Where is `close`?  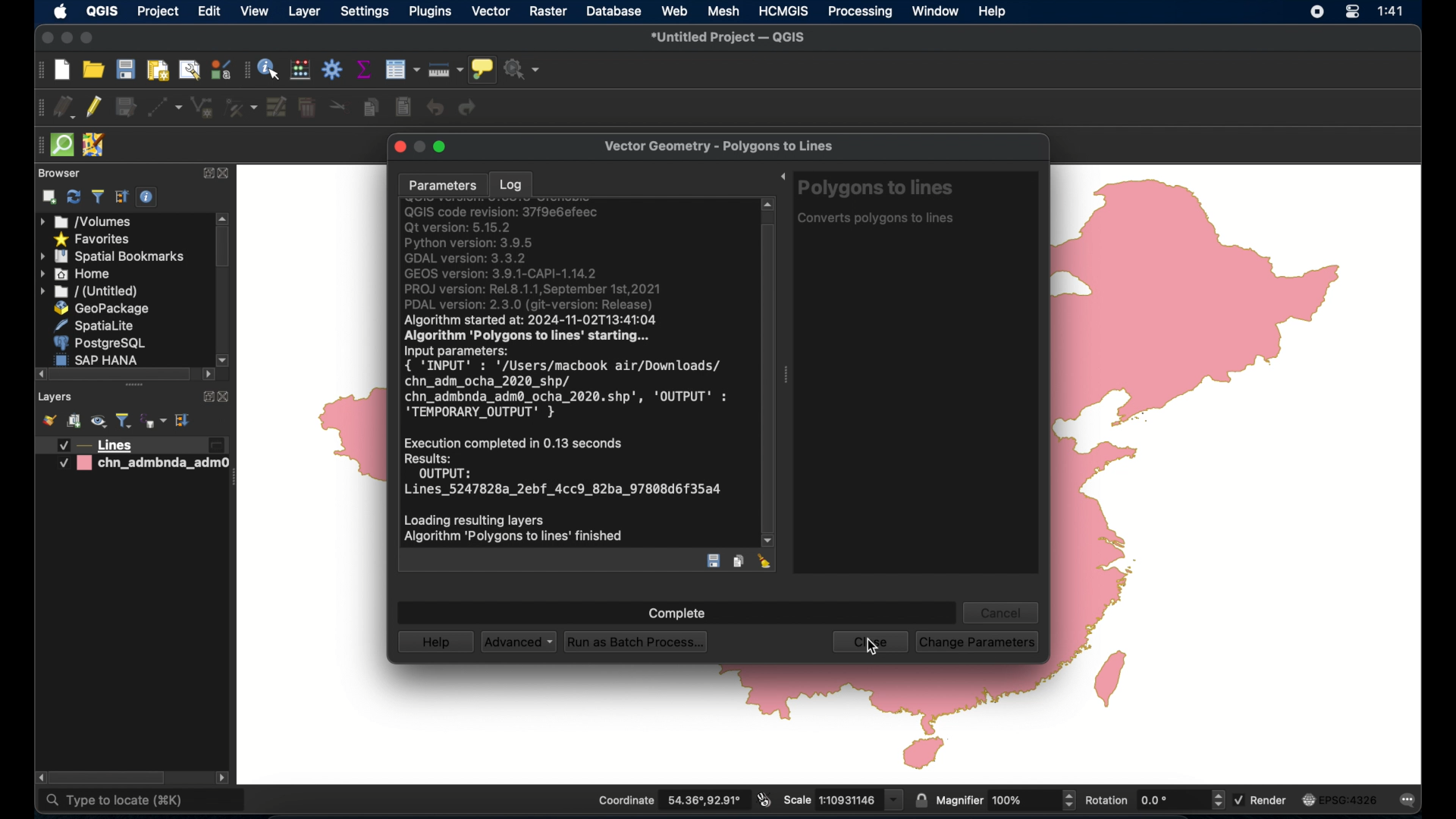 close is located at coordinates (398, 147).